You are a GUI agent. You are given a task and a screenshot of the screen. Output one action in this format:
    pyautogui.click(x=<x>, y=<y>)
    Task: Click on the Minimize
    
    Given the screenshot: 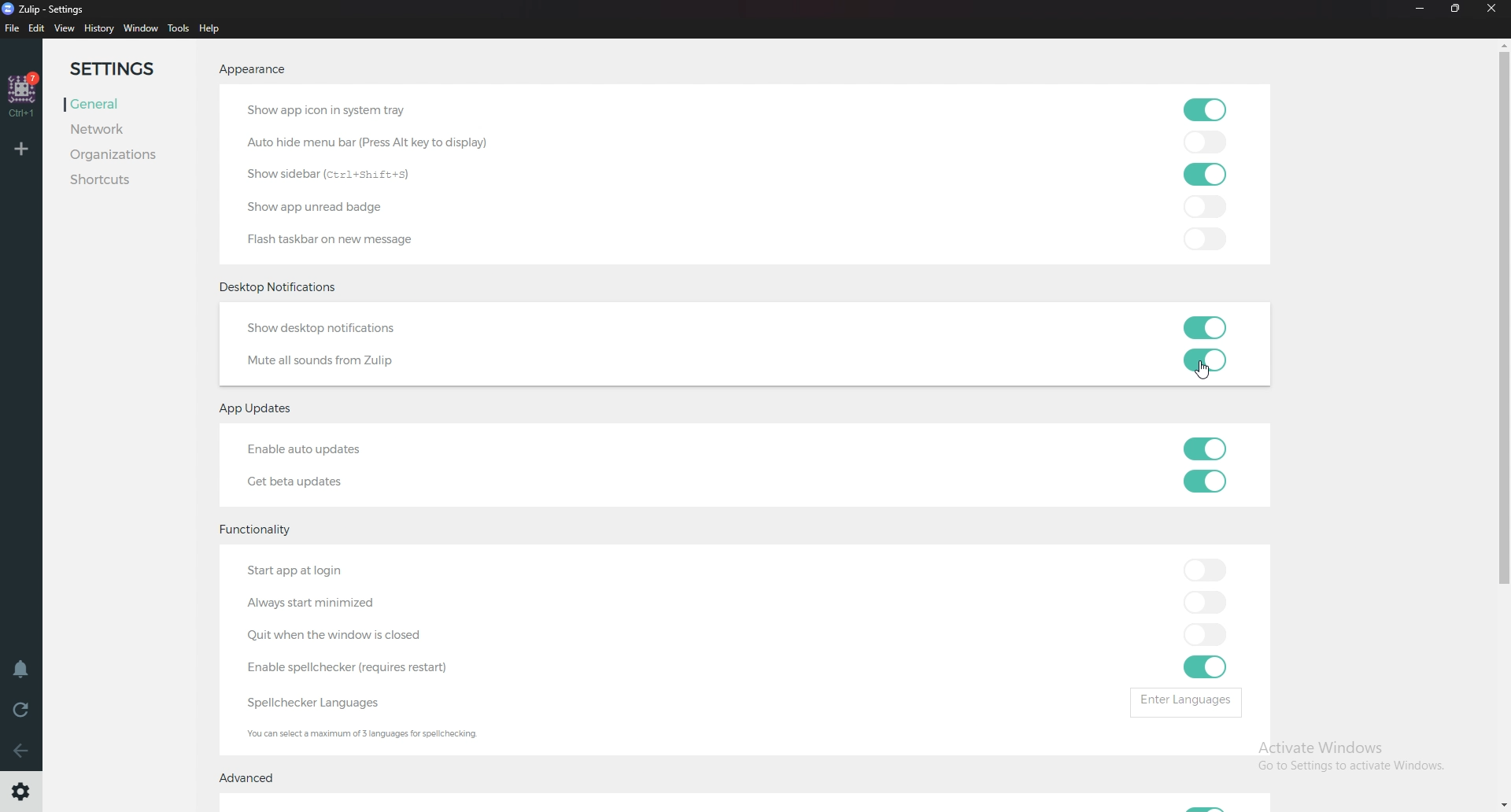 What is the action you would take?
    pyautogui.click(x=1419, y=9)
    